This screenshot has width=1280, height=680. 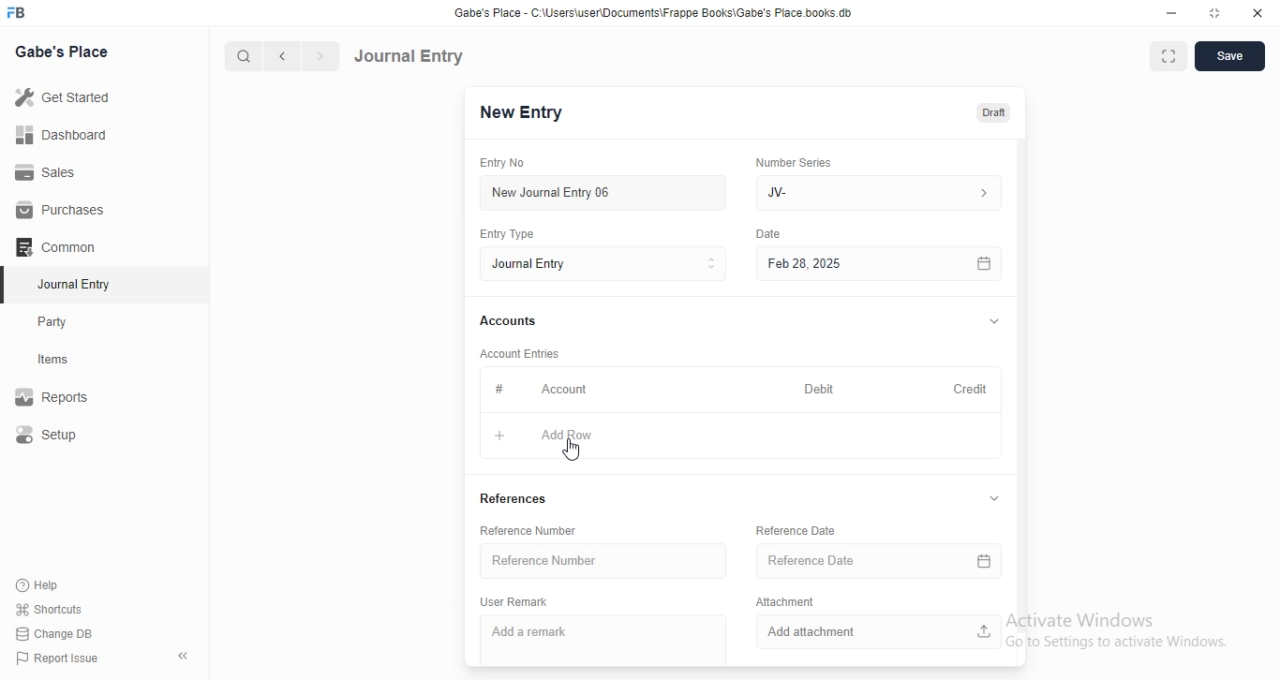 I want to click on ‘Help, so click(x=61, y=585).